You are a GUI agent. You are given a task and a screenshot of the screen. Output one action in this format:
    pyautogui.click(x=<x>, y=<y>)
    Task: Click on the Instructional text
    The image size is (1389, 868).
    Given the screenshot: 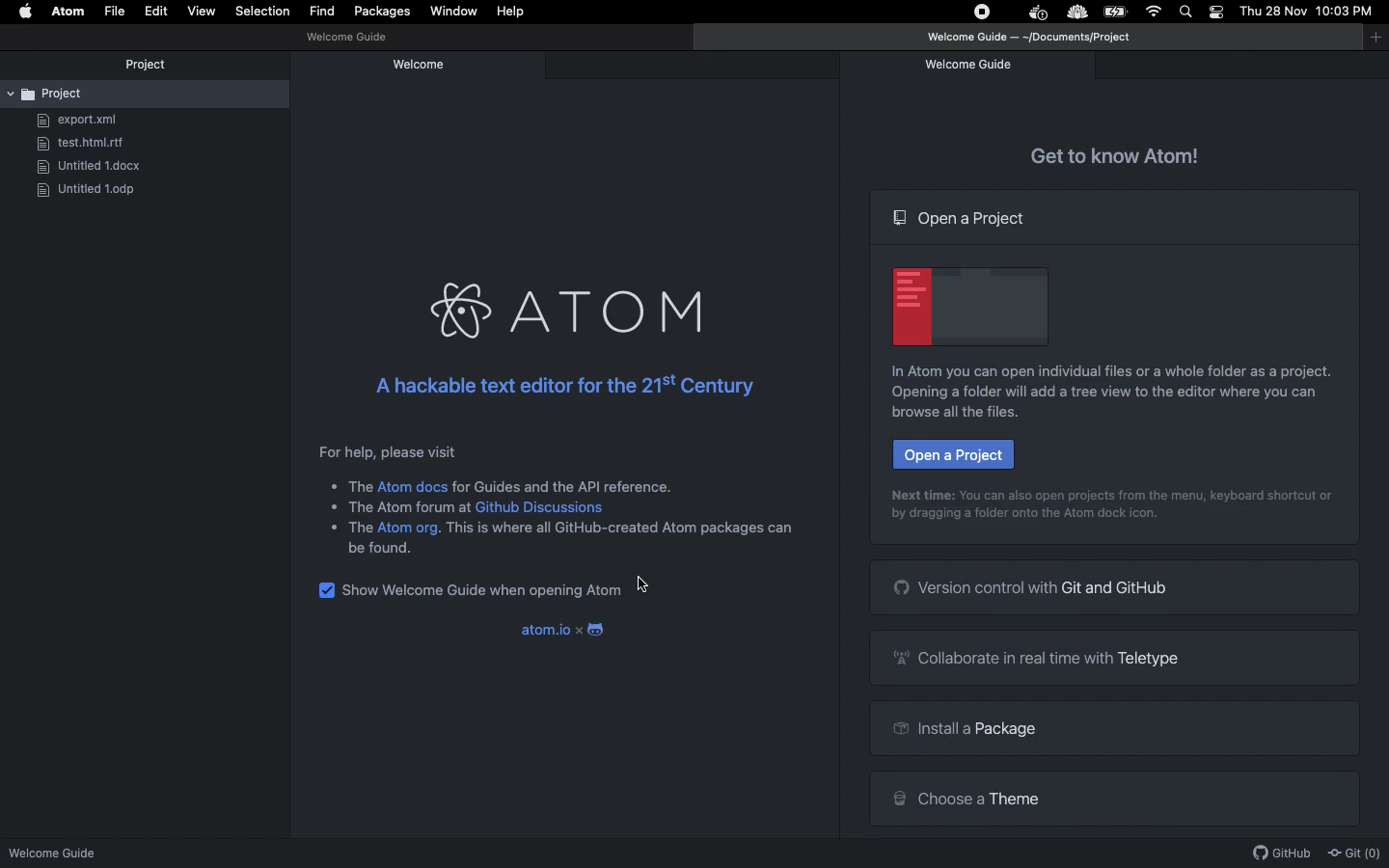 What is the action you would take?
    pyautogui.click(x=1110, y=493)
    